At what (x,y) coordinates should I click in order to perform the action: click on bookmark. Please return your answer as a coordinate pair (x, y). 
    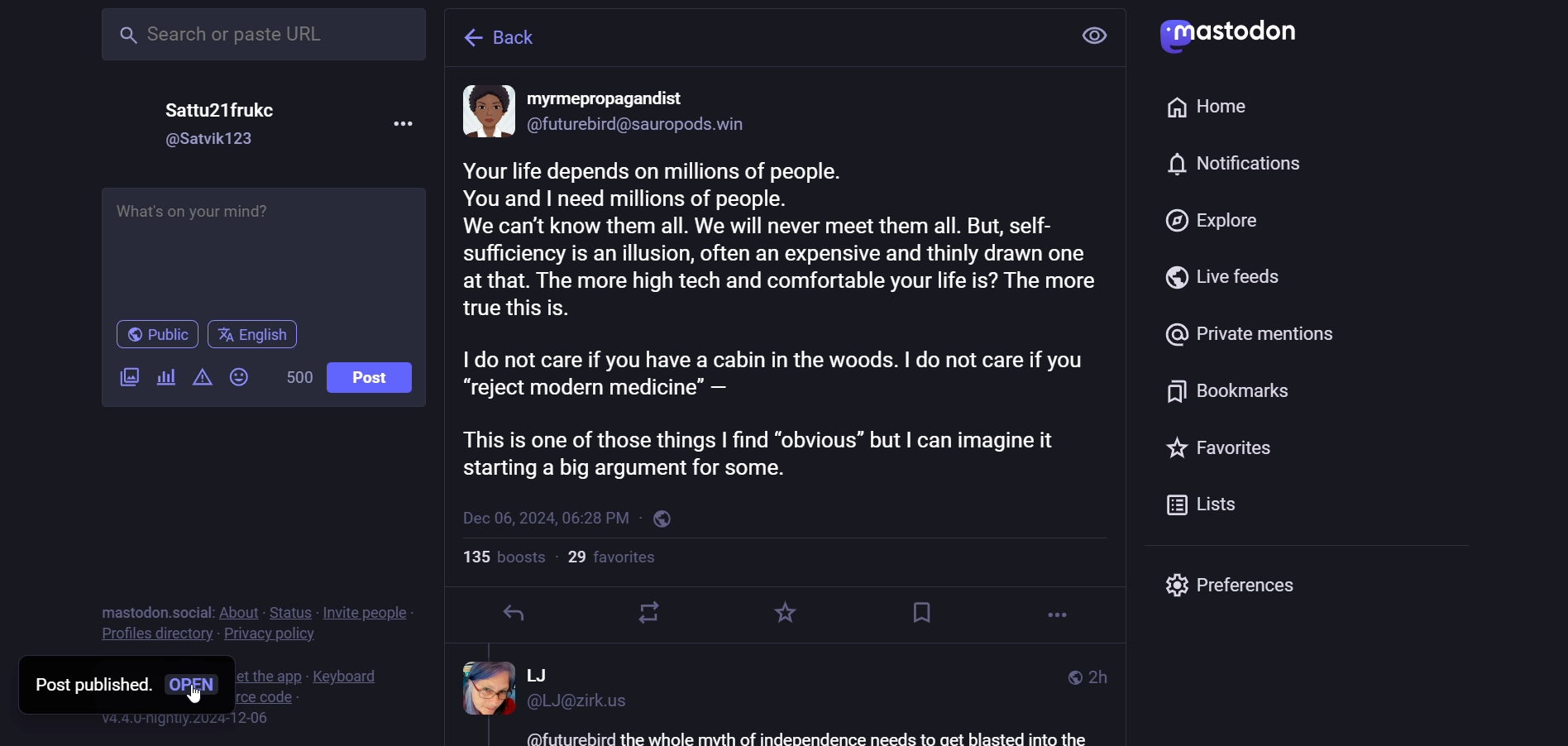
    Looking at the image, I should click on (917, 610).